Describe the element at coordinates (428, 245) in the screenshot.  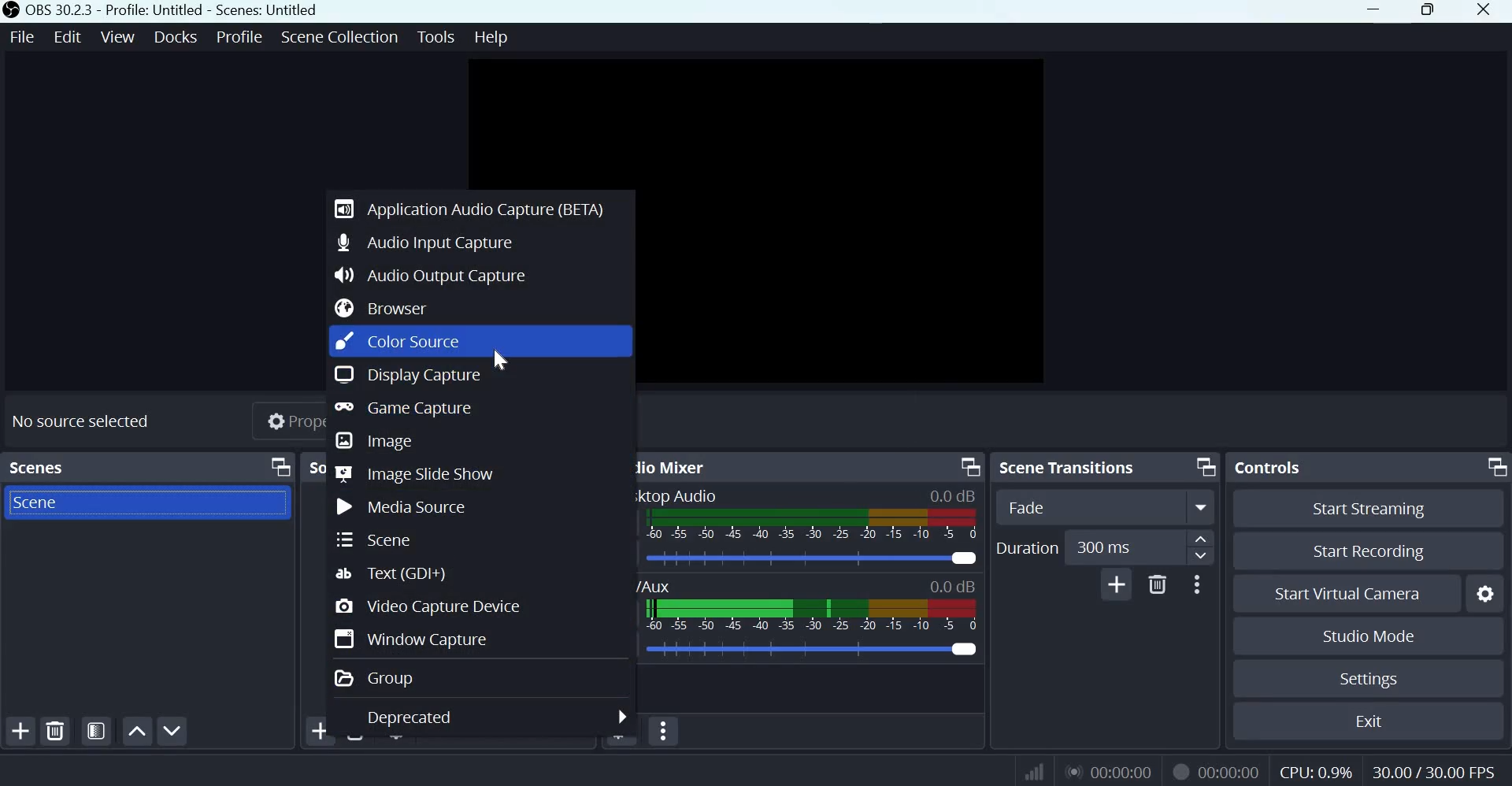
I see `Audio Input Capture` at that location.